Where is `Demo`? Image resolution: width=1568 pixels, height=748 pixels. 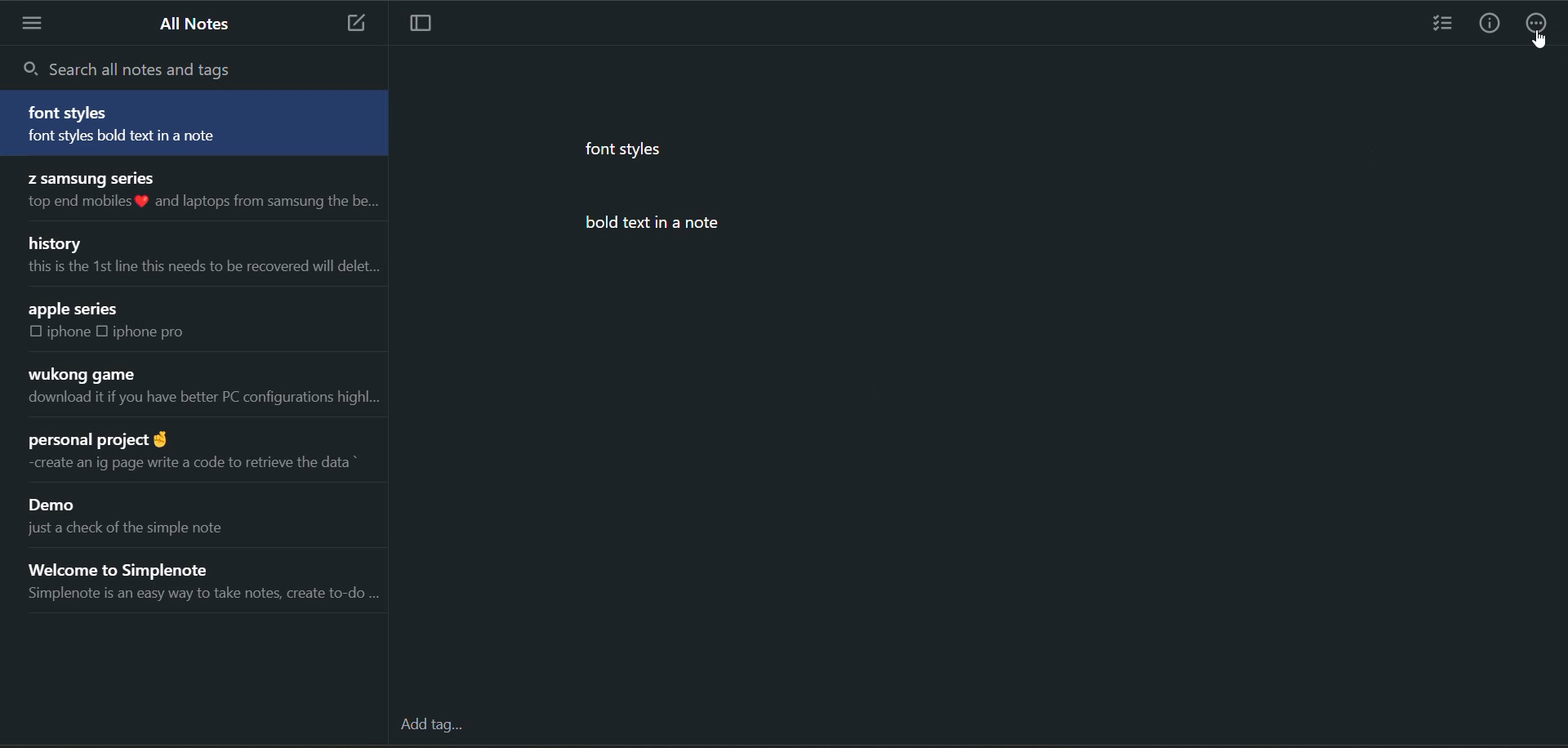 Demo is located at coordinates (58, 506).